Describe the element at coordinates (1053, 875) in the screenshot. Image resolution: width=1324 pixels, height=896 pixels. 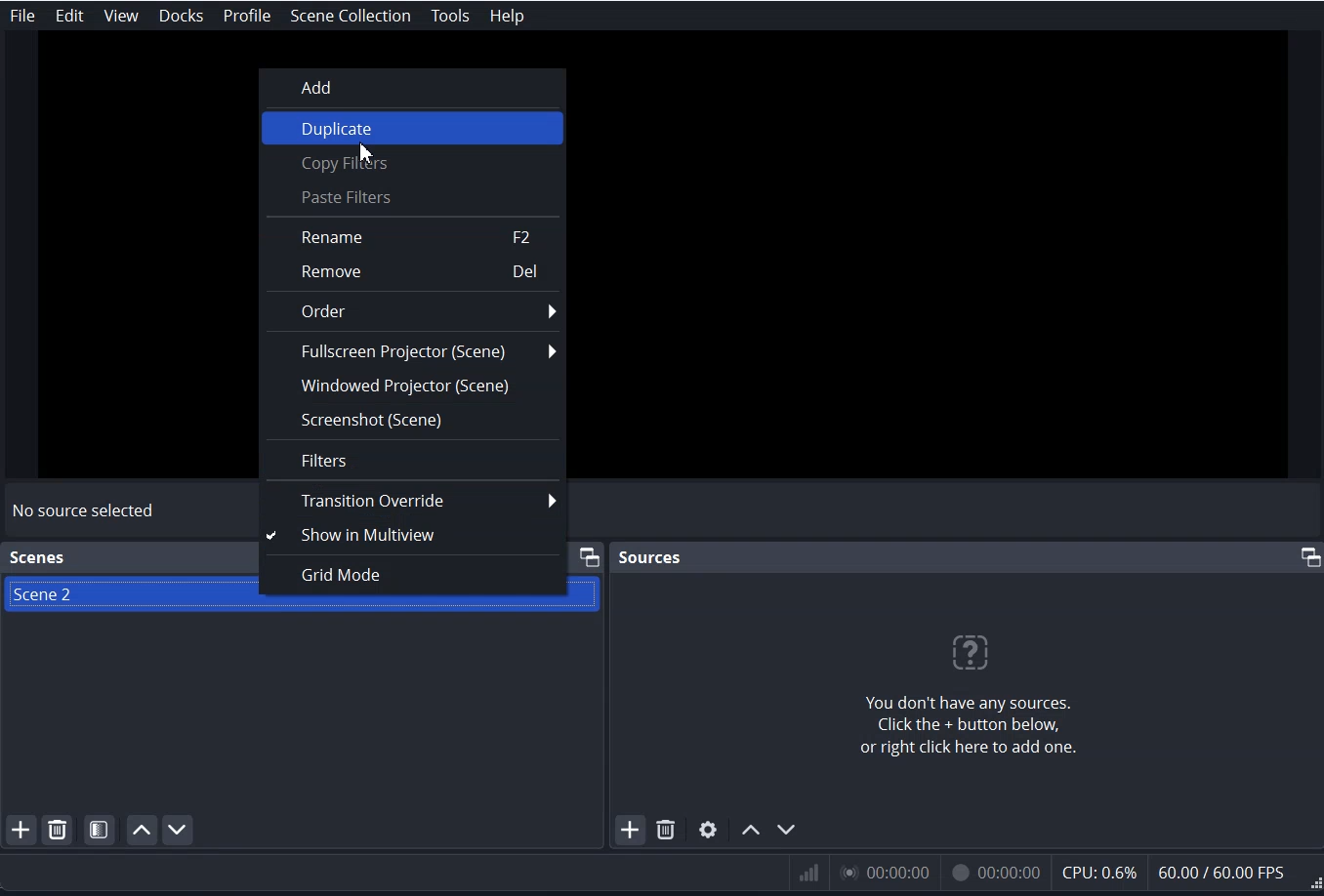
I see `Visual Parameter` at that location.